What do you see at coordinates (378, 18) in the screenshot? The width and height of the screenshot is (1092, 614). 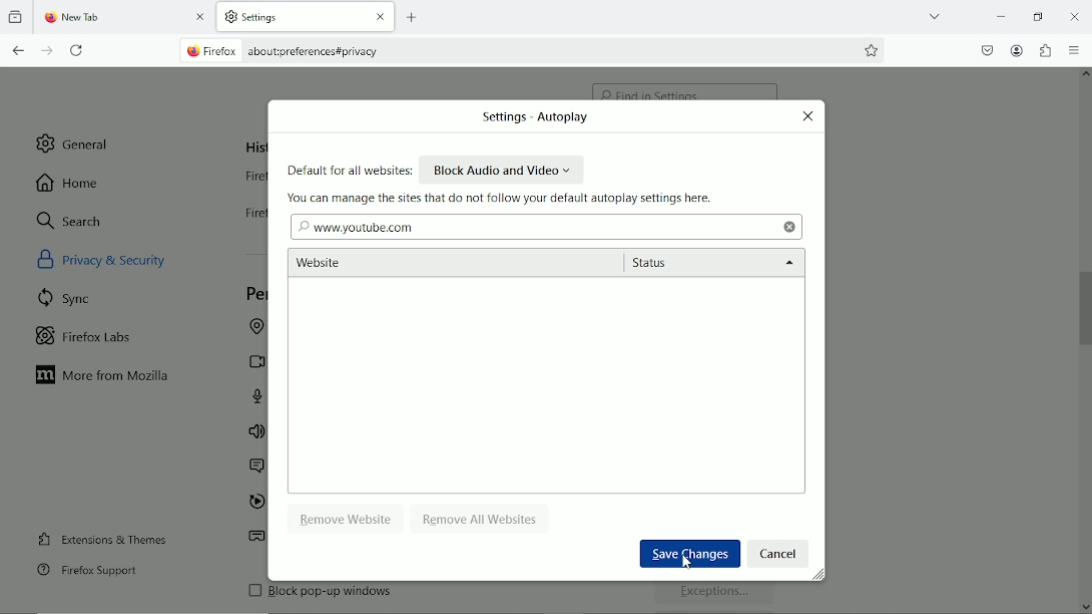 I see `close` at bounding box center [378, 18].